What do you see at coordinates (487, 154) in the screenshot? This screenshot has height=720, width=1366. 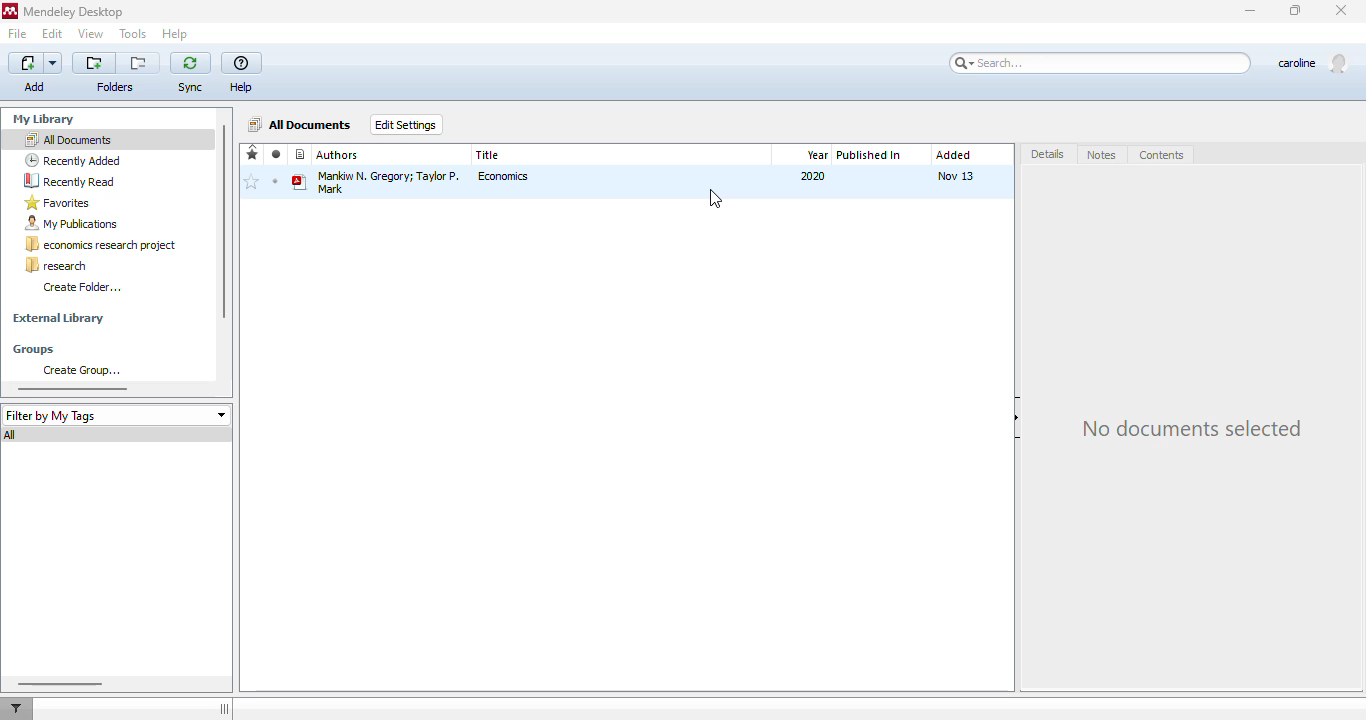 I see `title` at bounding box center [487, 154].